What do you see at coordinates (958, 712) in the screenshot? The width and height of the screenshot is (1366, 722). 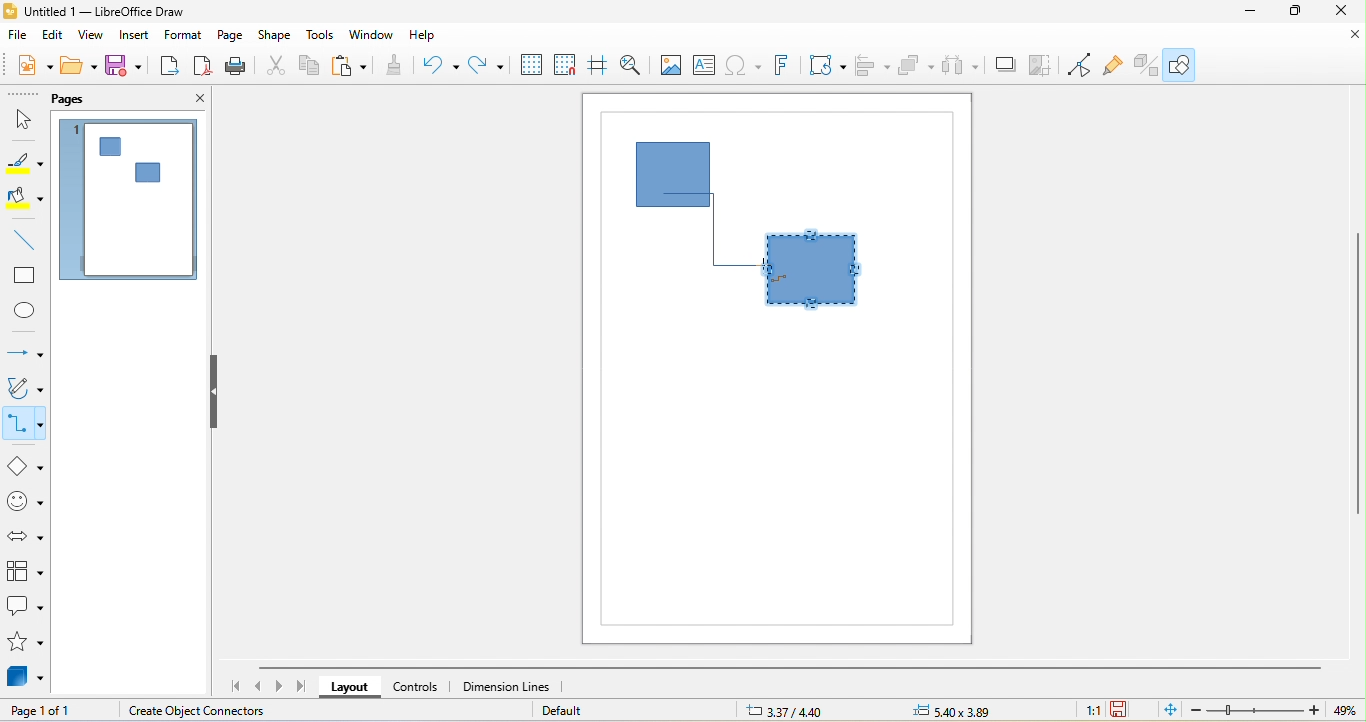 I see `0.00x0.00` at bounding box center [958, 712].